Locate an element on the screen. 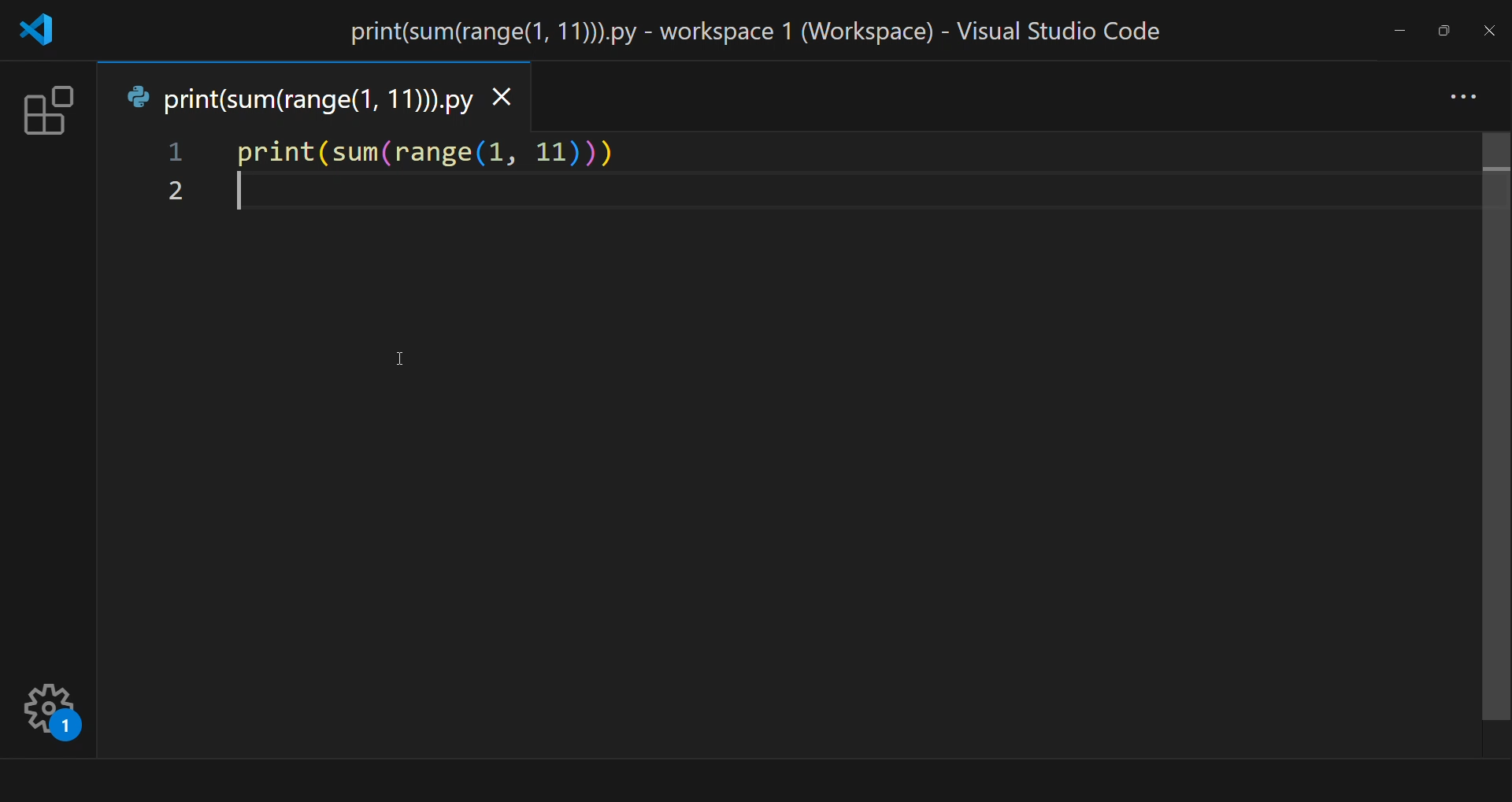  code is located at coordinates (431, 152).